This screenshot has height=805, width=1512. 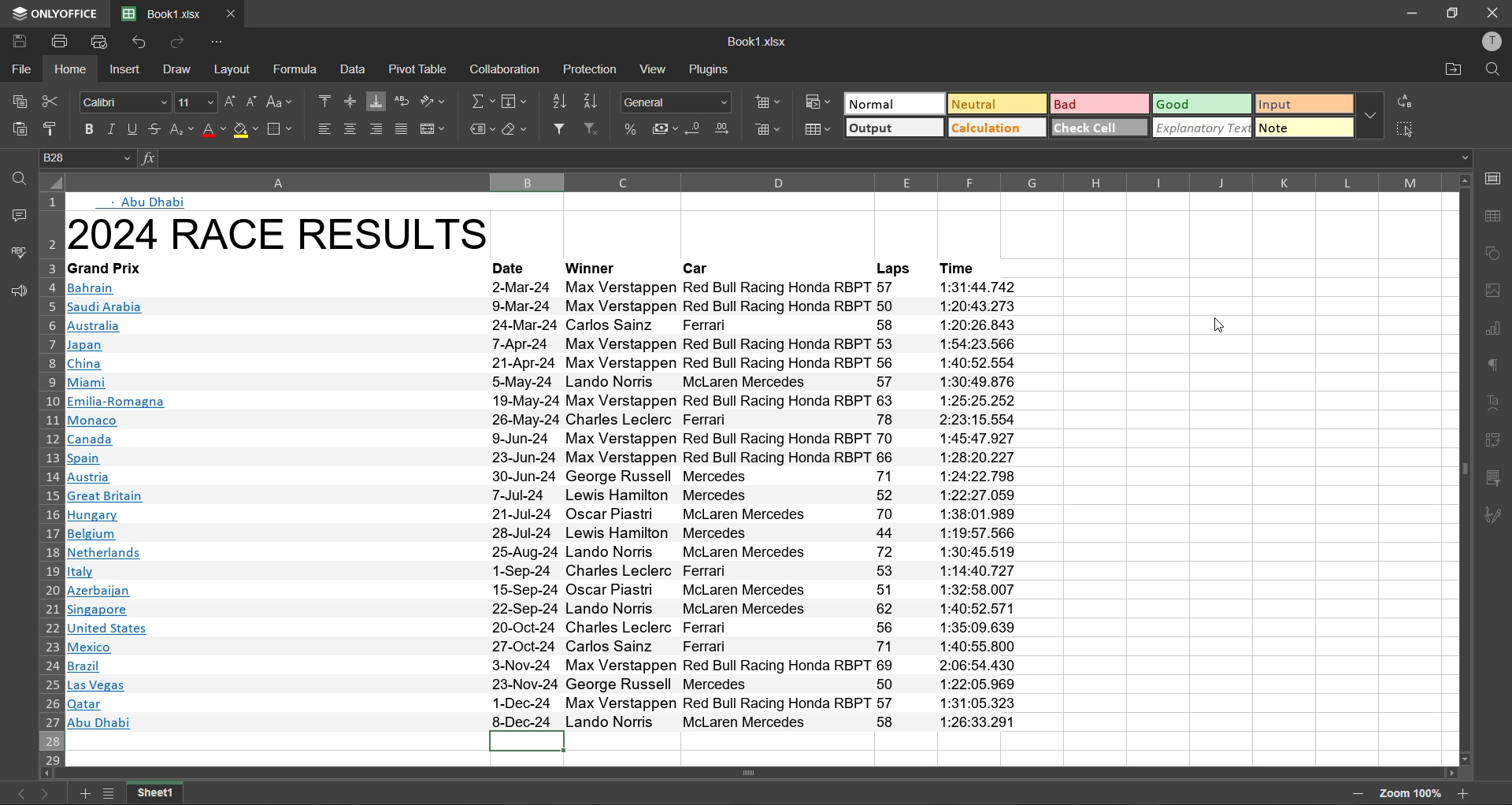 I want to click on Singapore 22-Sep-24 Lando Norris McLaren Mercedes 62 1:40:52.571, so click(x=543, y=609).